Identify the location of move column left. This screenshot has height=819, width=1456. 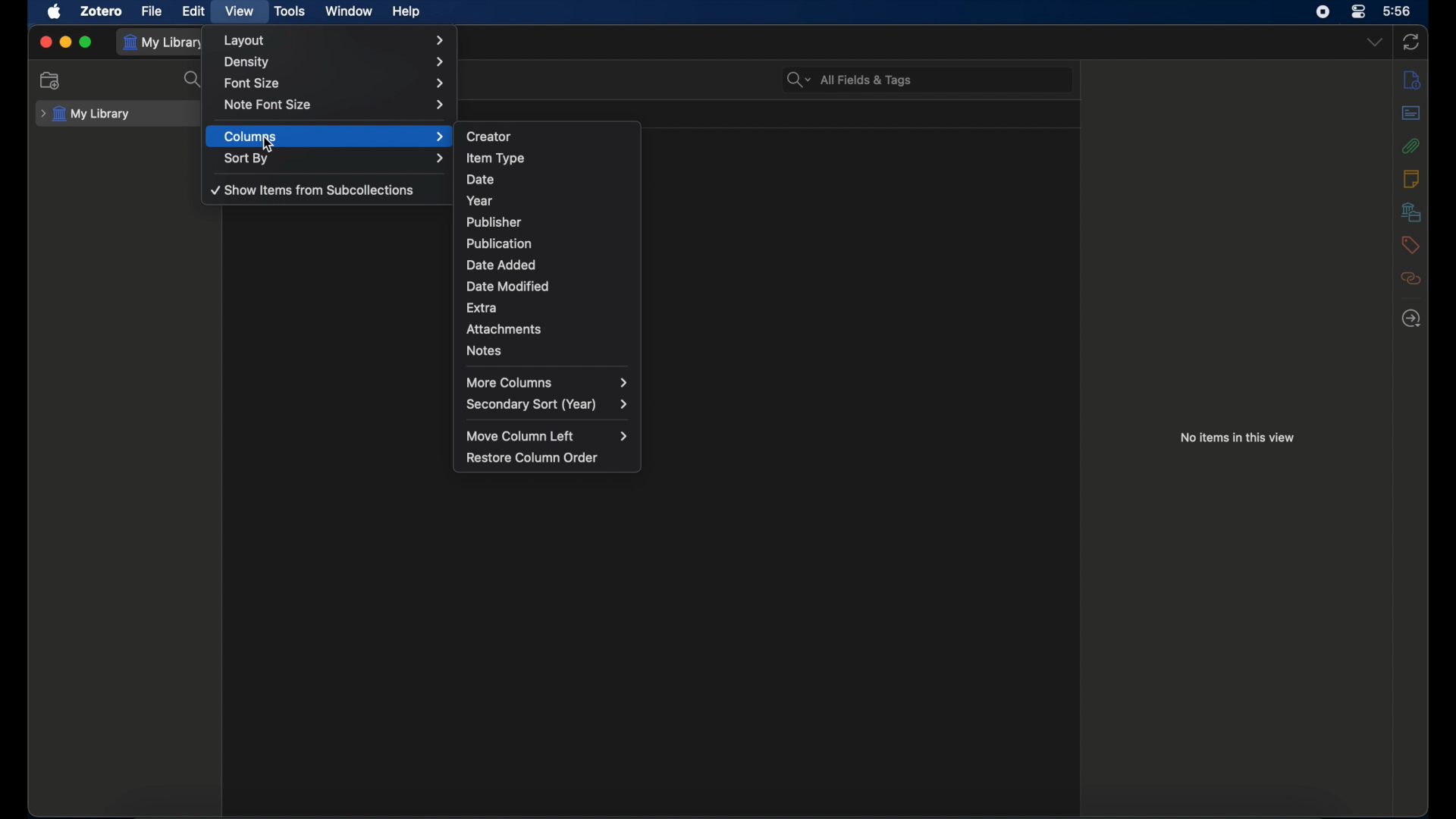
(547, 437).